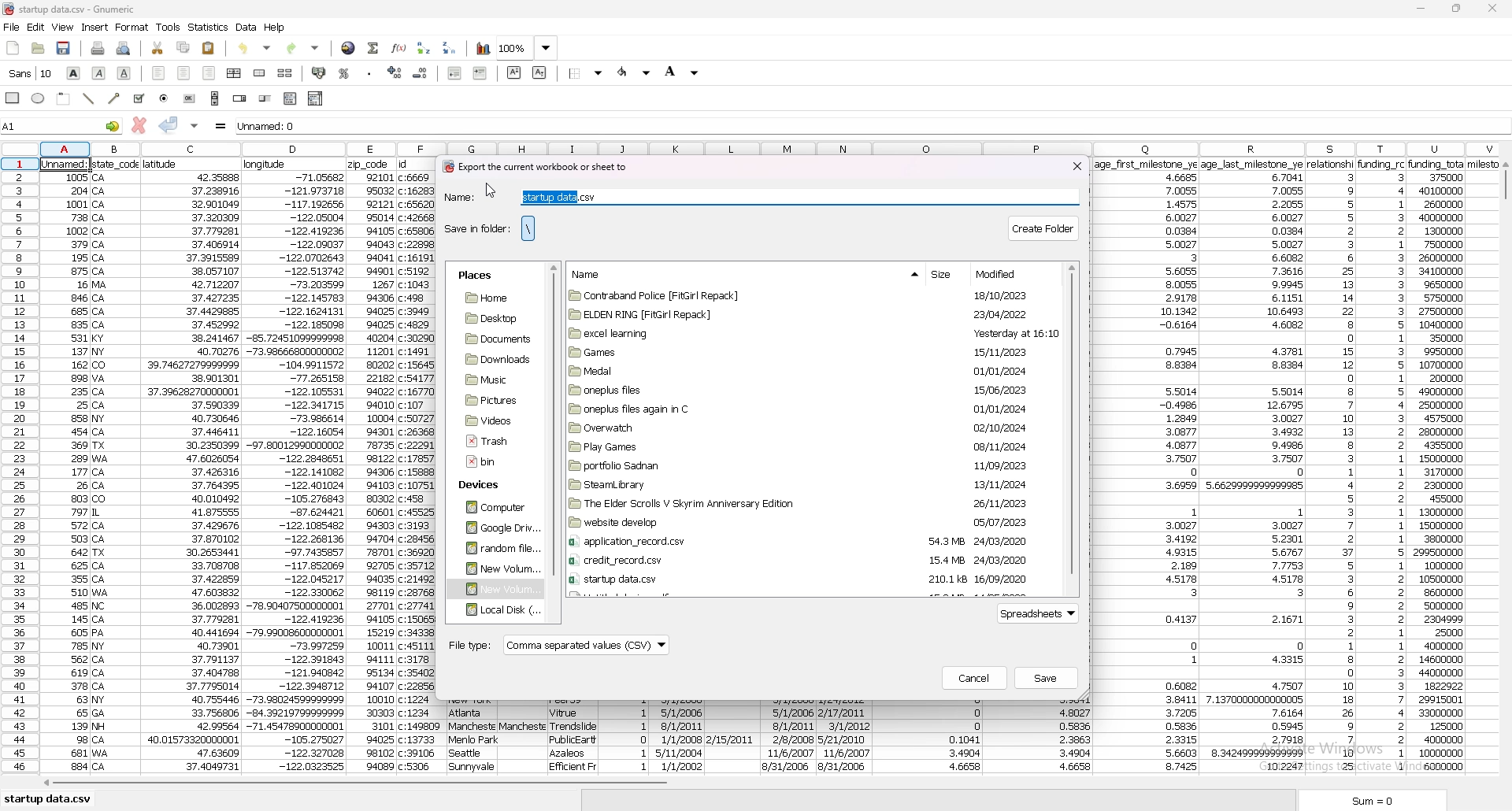  I want to click on folder, so click(806, 523).